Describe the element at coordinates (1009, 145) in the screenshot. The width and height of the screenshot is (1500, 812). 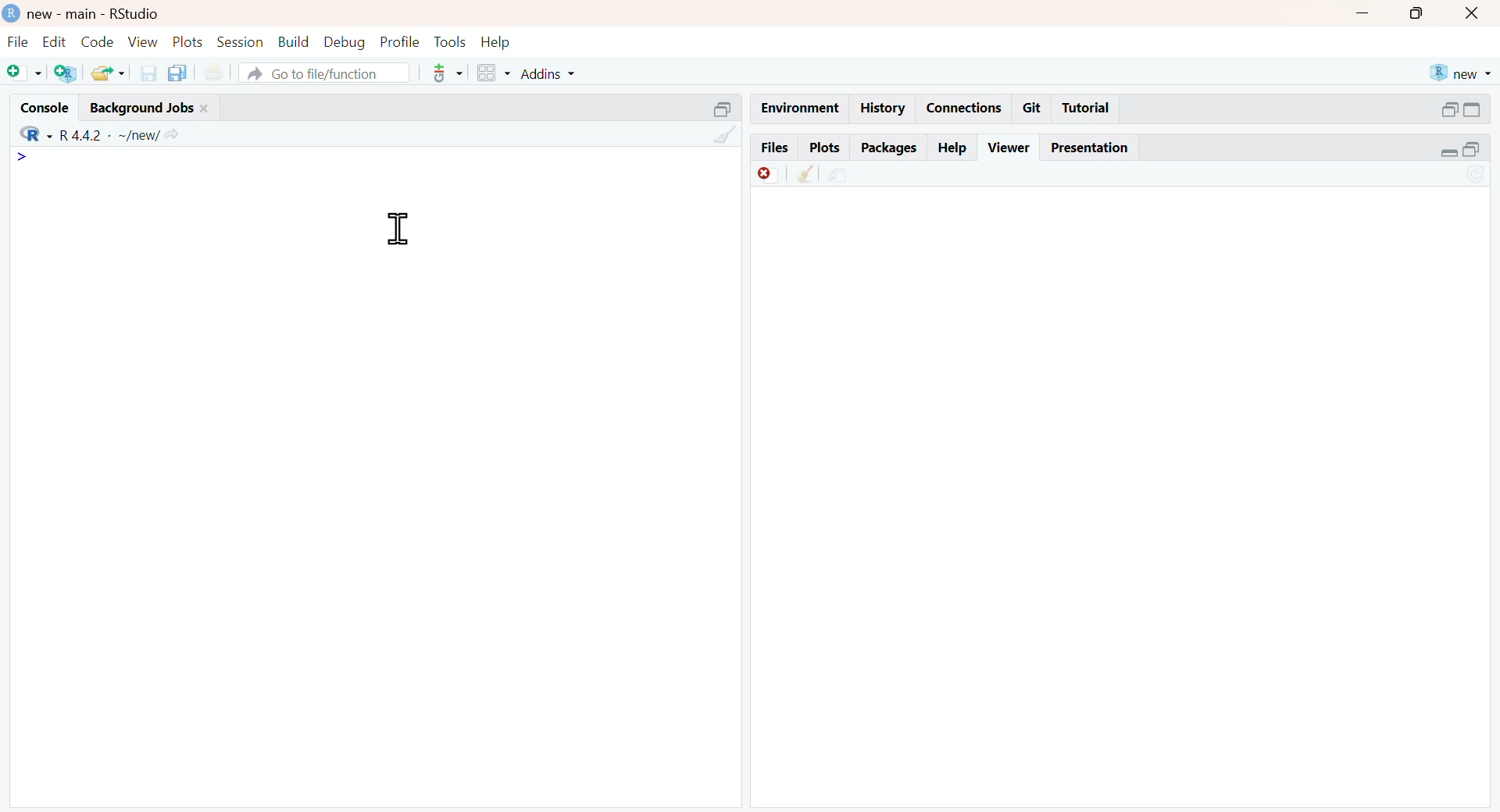
I see `Viewer` at that location.